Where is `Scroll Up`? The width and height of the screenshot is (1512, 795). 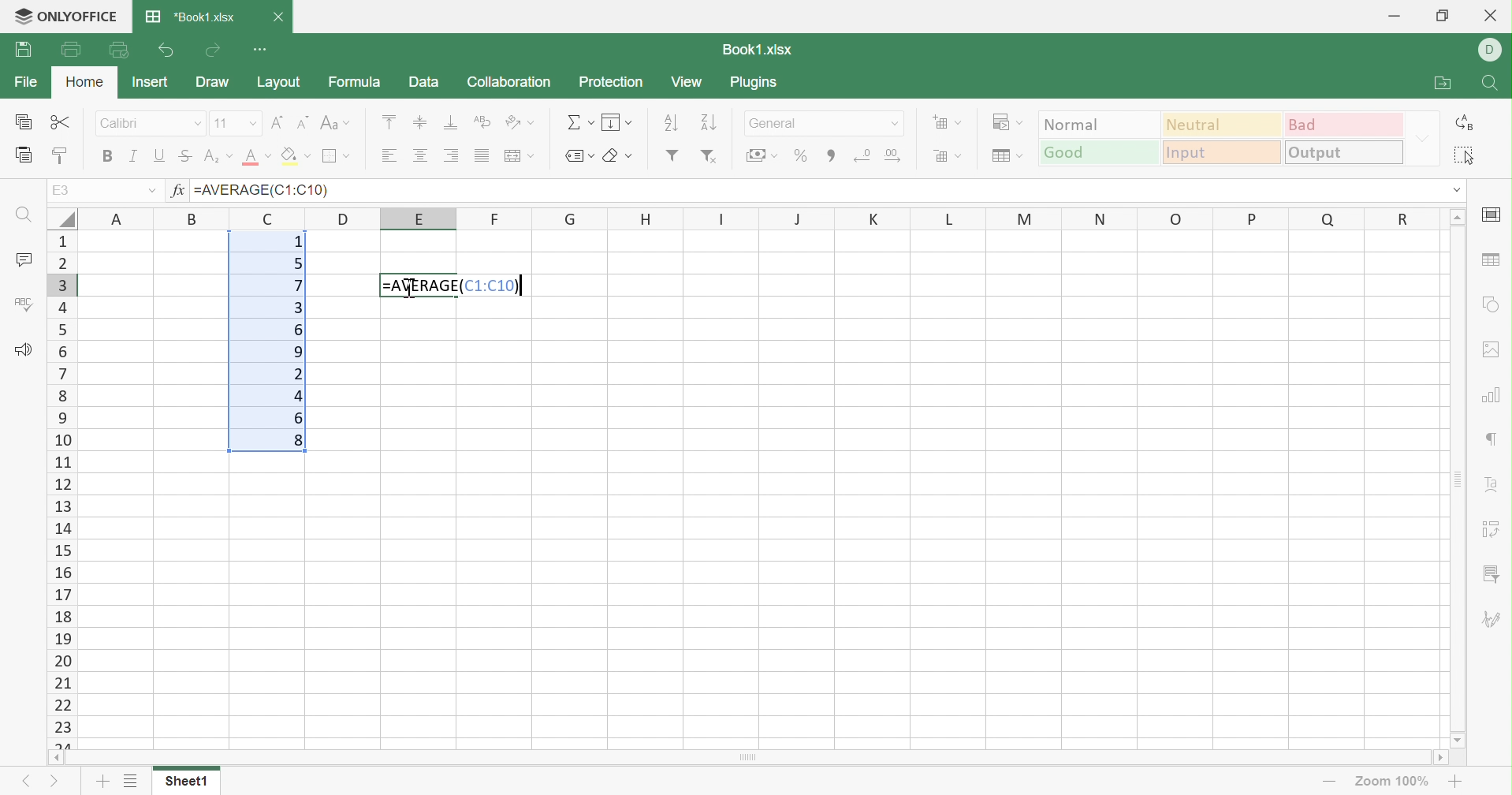
Scroll Up is located at coordinates (1456, 216).